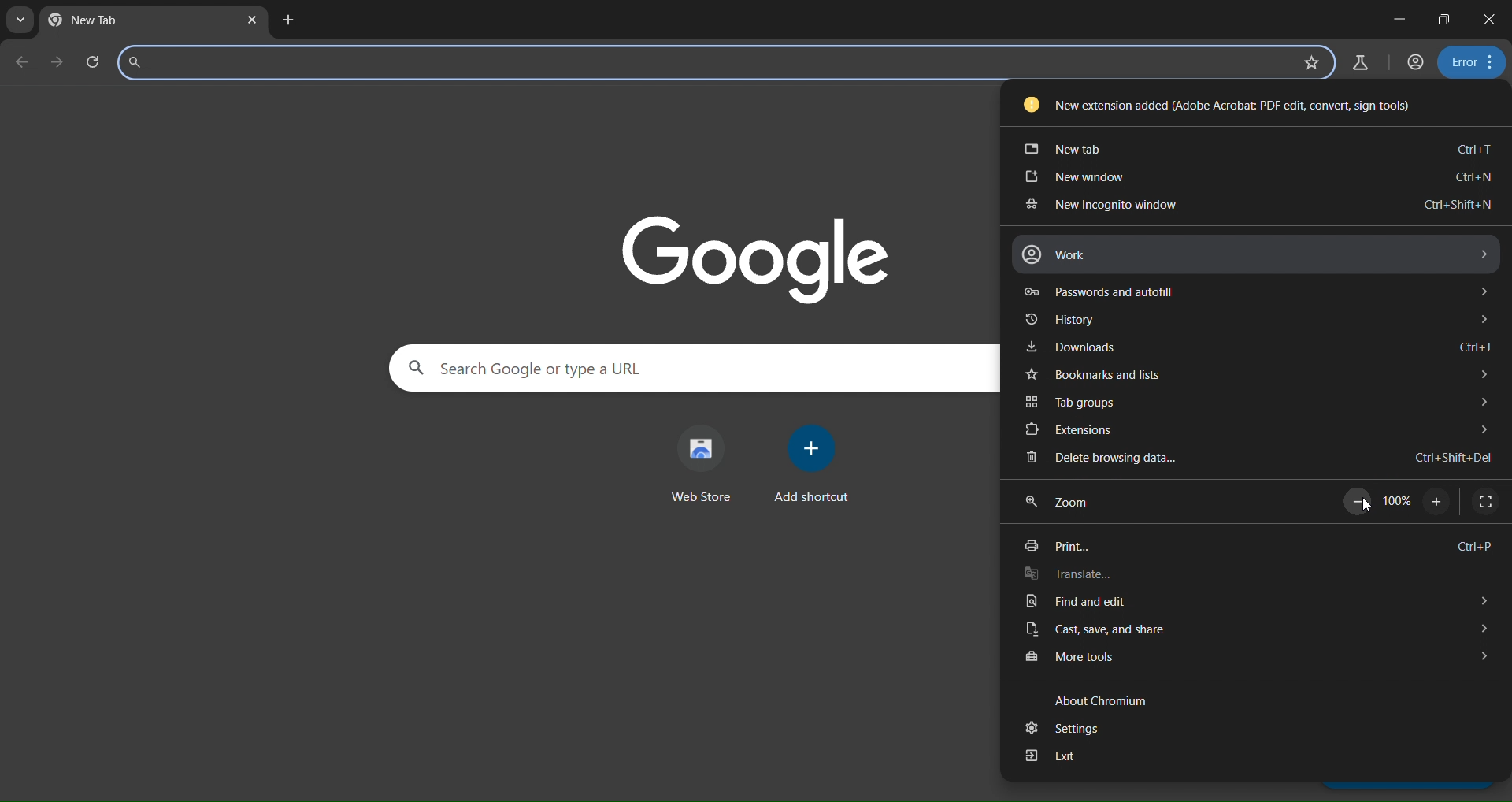 This screenshot has width=1512, height=802. What do you see at coordinates (1102, 702) in the screenshot?
I see `about chromium` at bounding box center [1102, 702].